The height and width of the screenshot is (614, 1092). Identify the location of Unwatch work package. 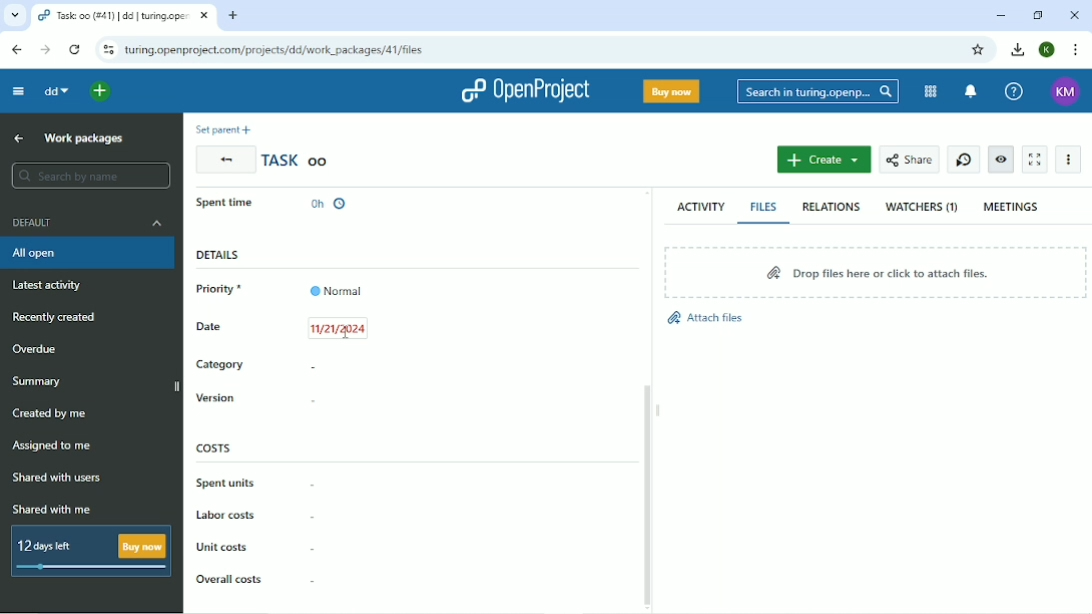
(1002, 160).